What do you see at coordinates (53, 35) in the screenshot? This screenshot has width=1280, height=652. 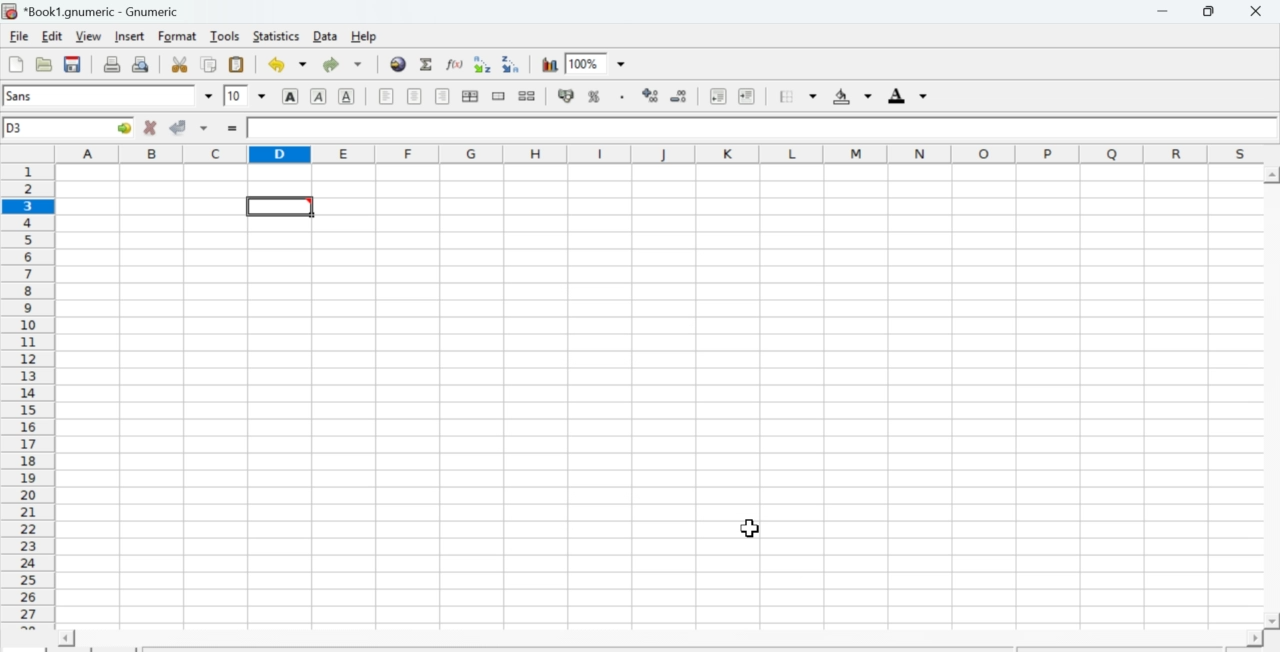 I see `Edit` at bounding box center [53, 35].